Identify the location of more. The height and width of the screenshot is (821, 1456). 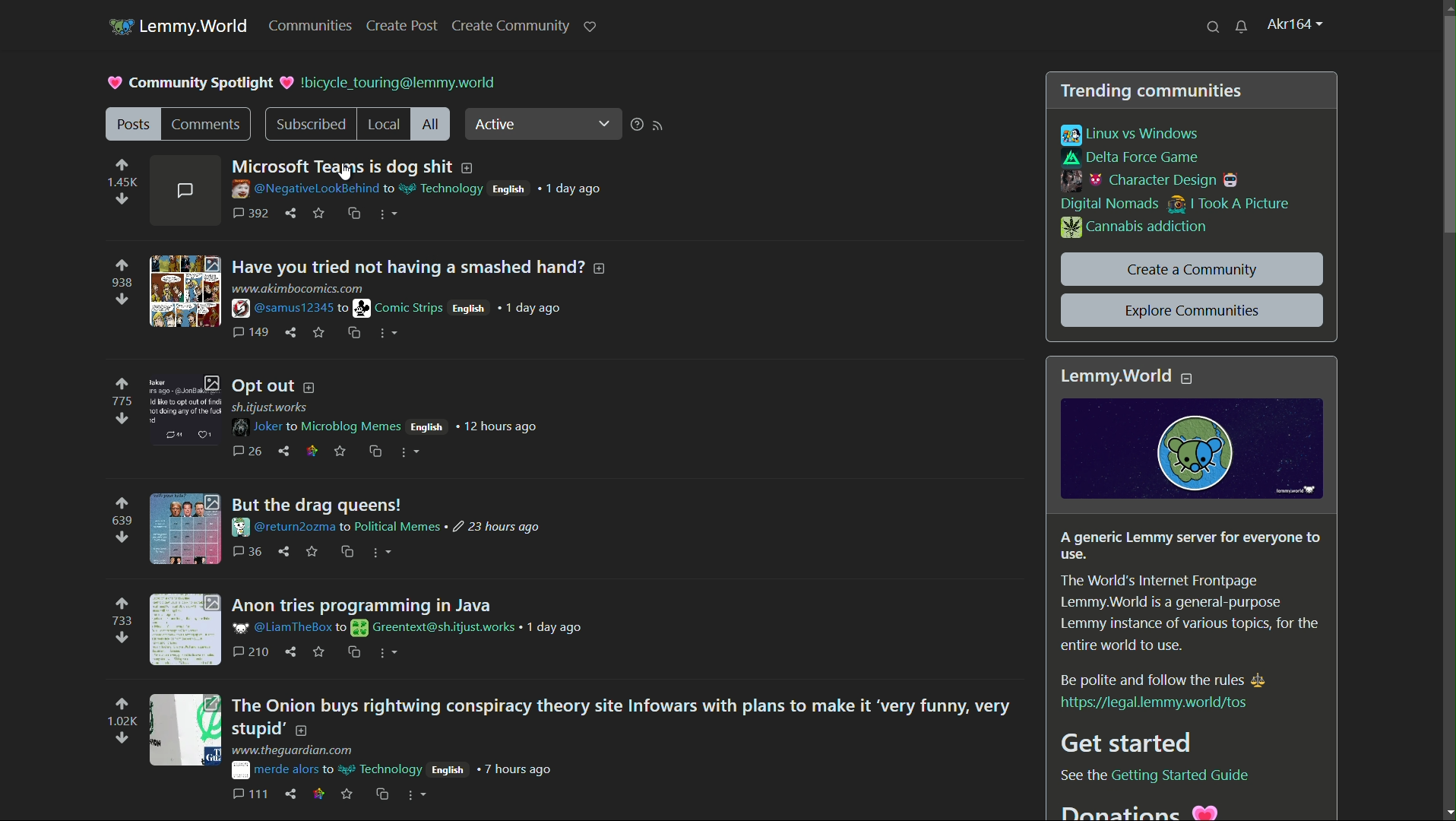
(417, 798).